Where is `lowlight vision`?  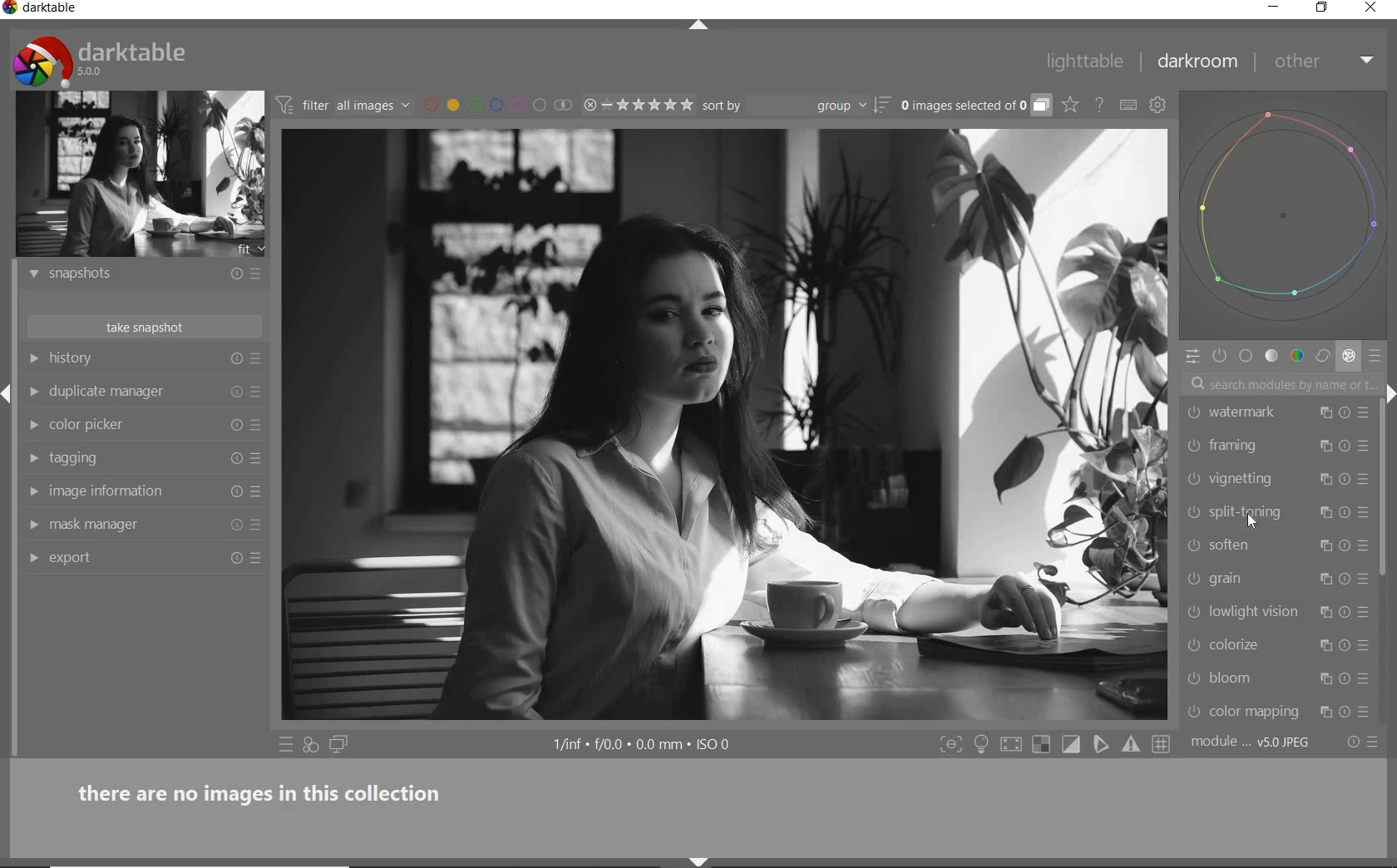 lowlight vision is located at coordinates (1257, 610).